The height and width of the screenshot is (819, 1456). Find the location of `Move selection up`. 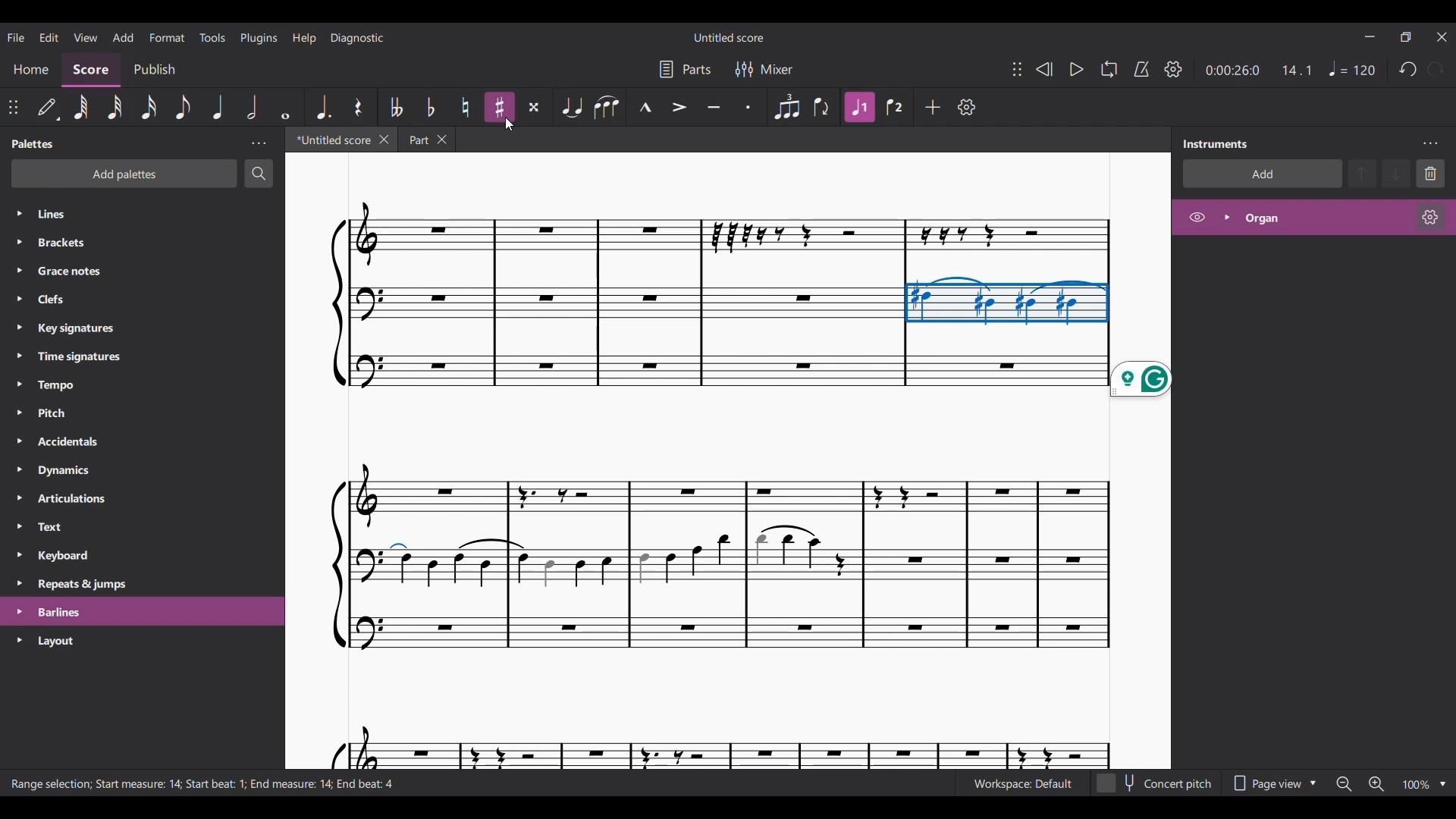

Move selection up is located at coordinates (1362, 174).